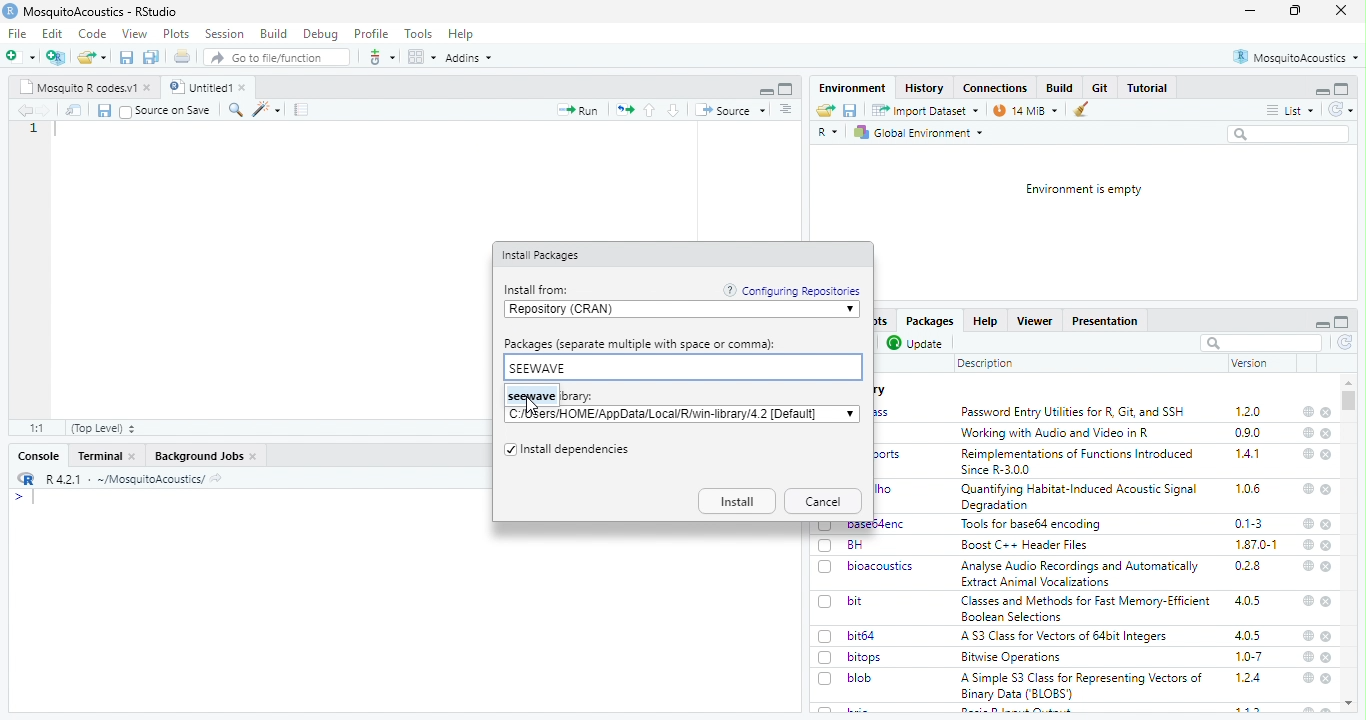 The image size is (1366, 720). Describe the element at coordinates (826, 568) in the screenshot. I see `checkbox` at that location.